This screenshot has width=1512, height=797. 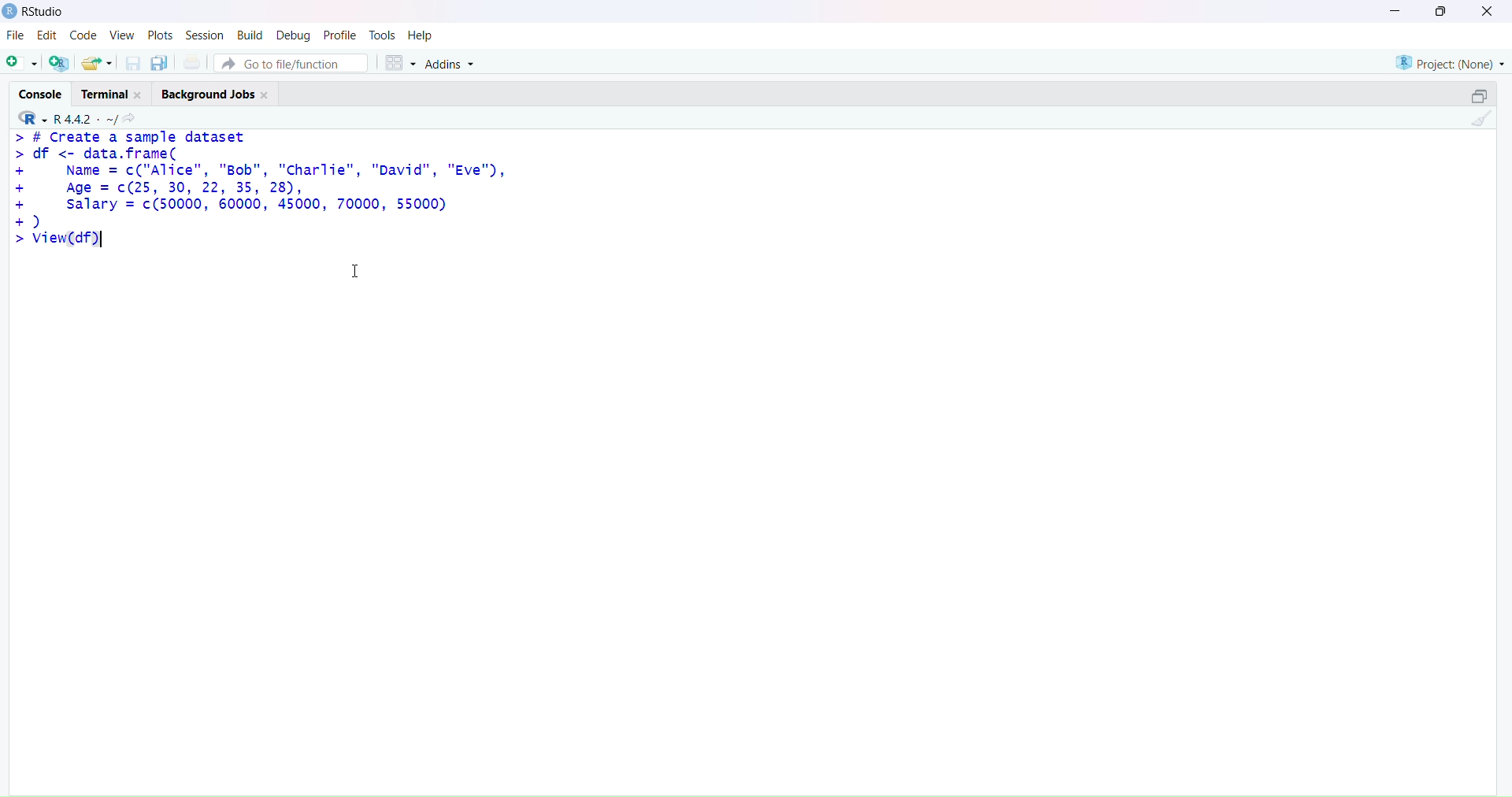 What do you see at coordinates (131, 120) in the screenshot?
I see `view the current working directory` at bounding box center [131, 120].